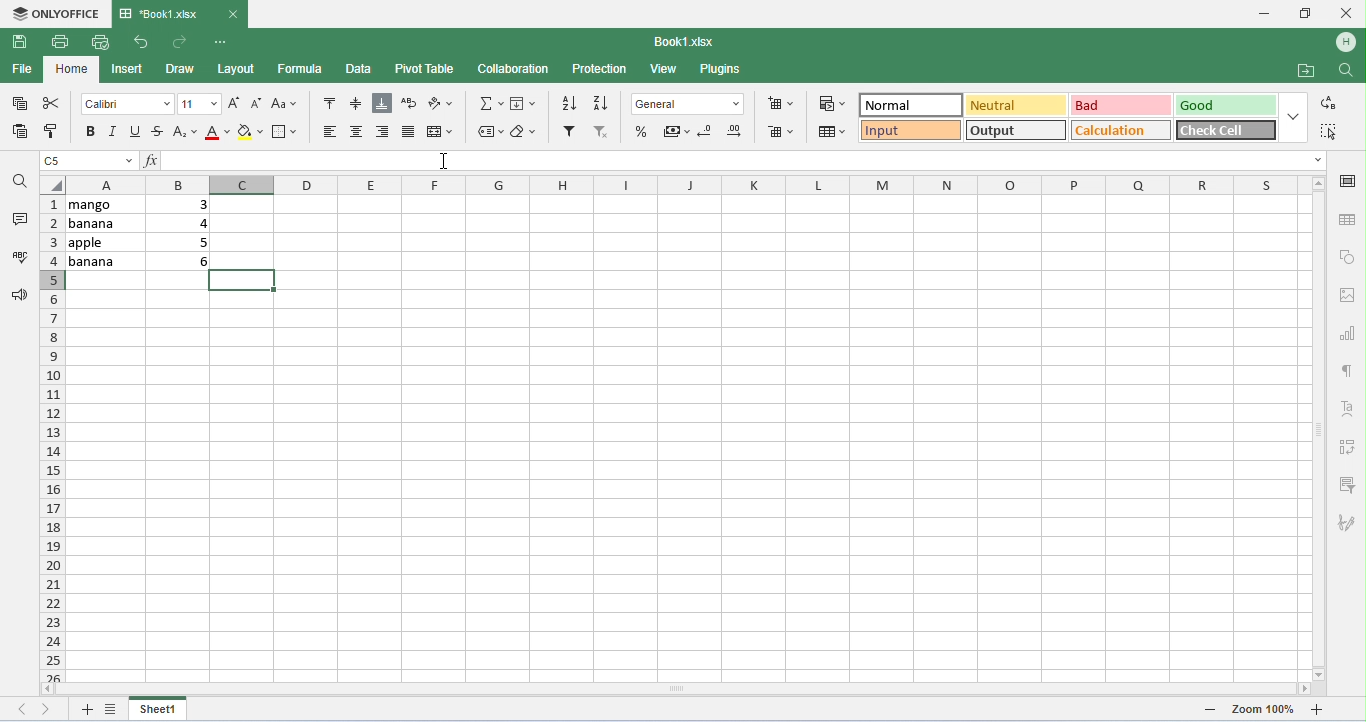  Describe the element at coordinates (688, 106) in the screenshot. I see `number format` at that location.